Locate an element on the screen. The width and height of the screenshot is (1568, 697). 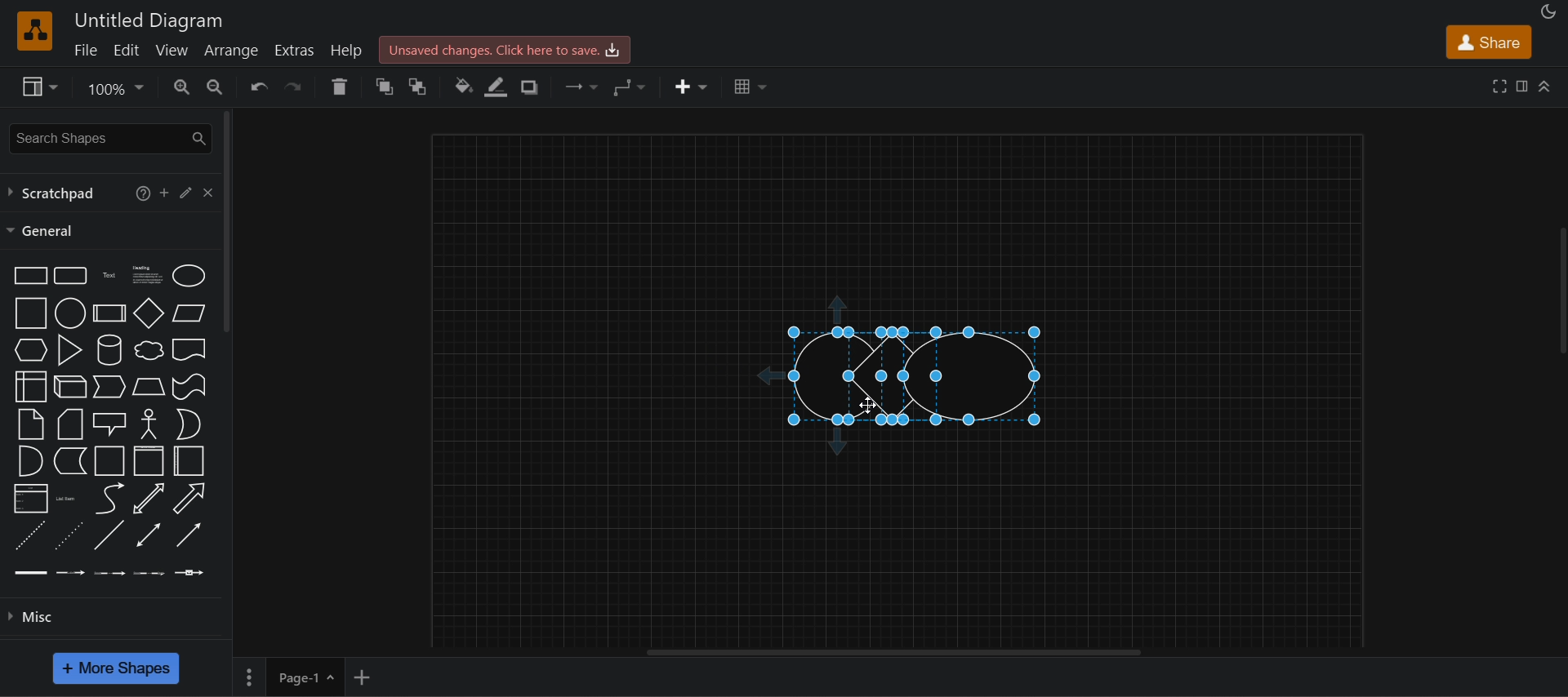
Curve is located at coordinates (109, 498).